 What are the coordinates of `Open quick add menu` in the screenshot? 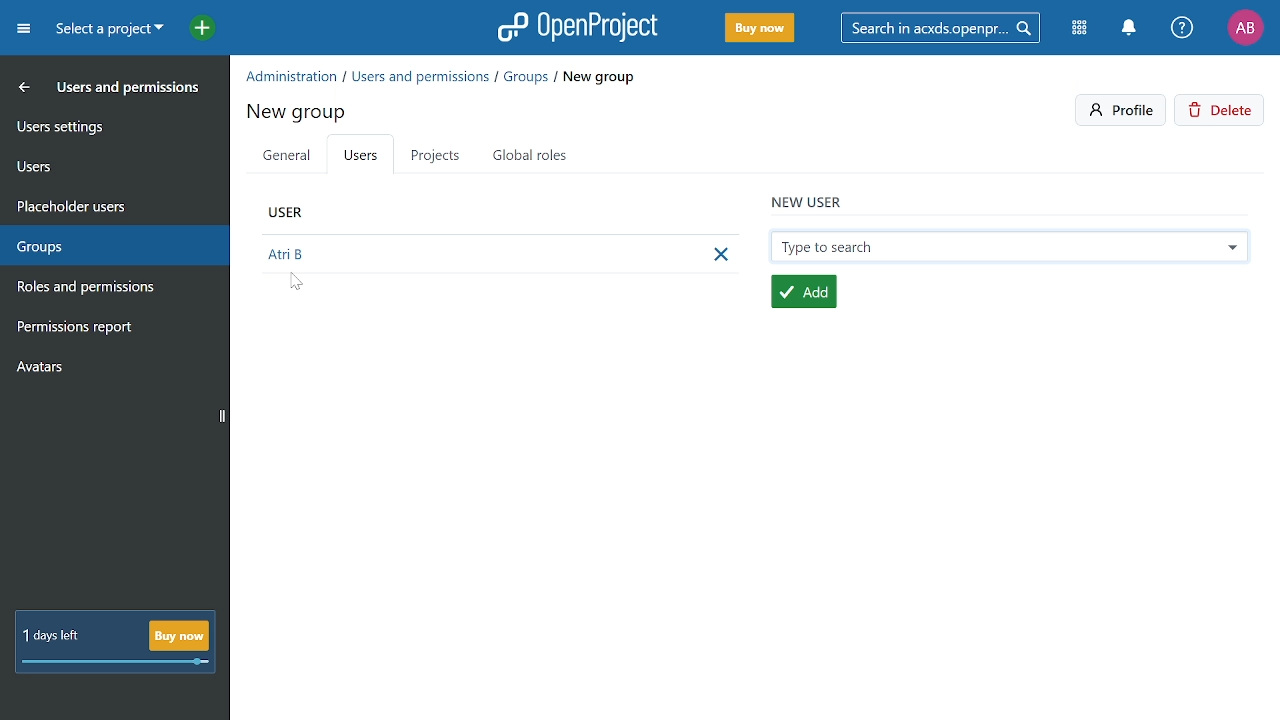 It's located at (192, 27).